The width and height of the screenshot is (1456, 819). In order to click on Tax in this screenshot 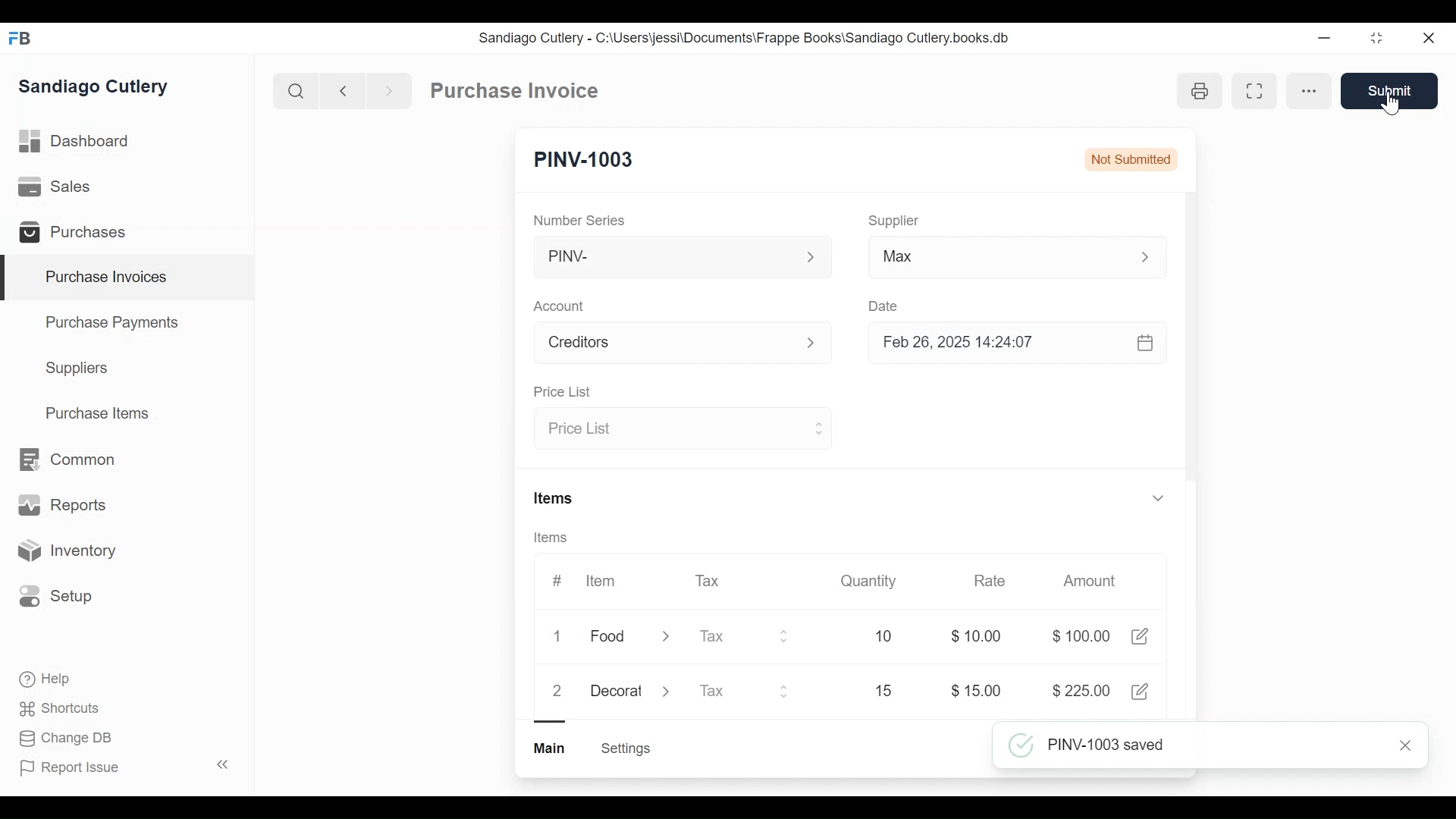, I will do `click(730, 636)`.